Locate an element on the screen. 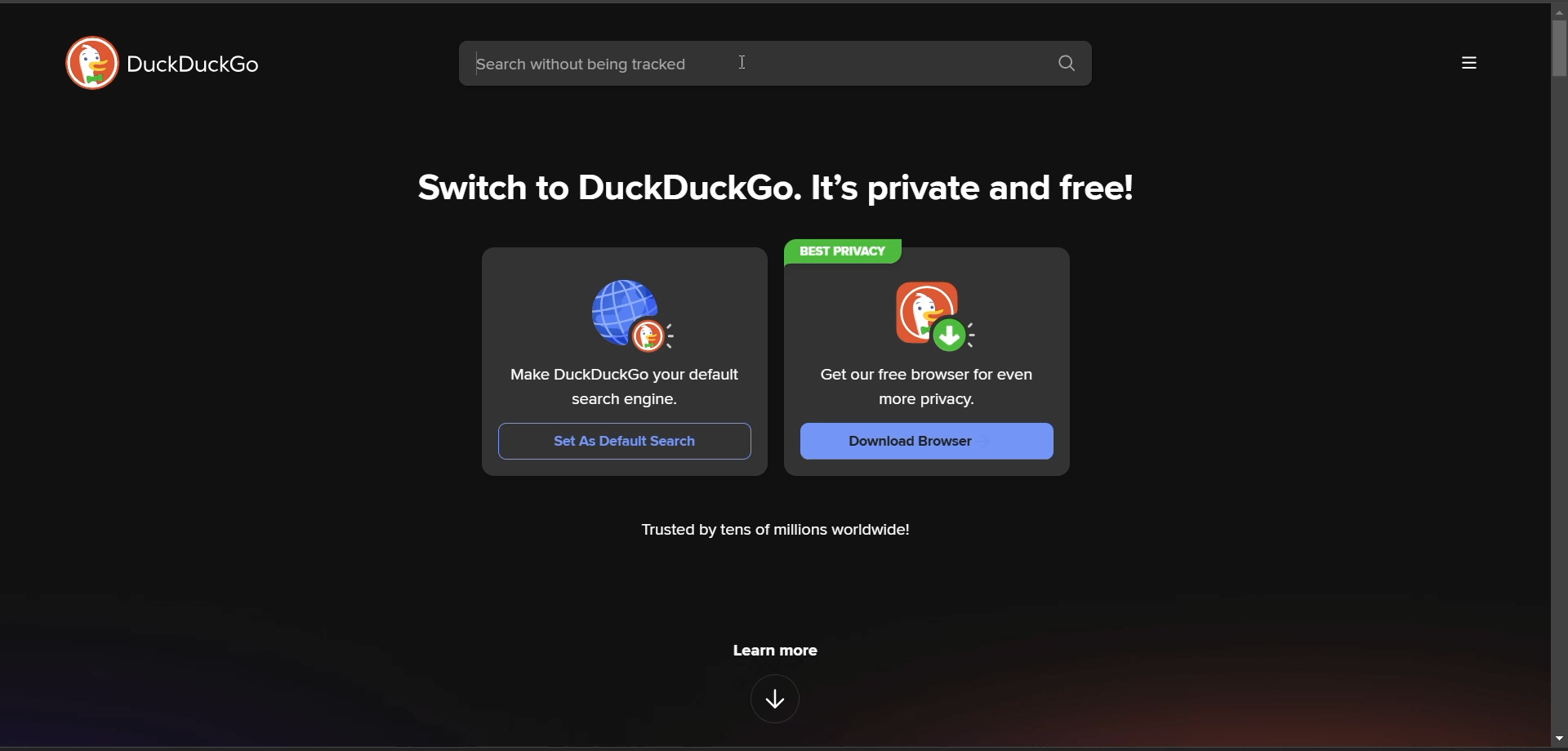 This screenshot has height=751, width=1568. search without being tracked is located at coordinates (749, 63).